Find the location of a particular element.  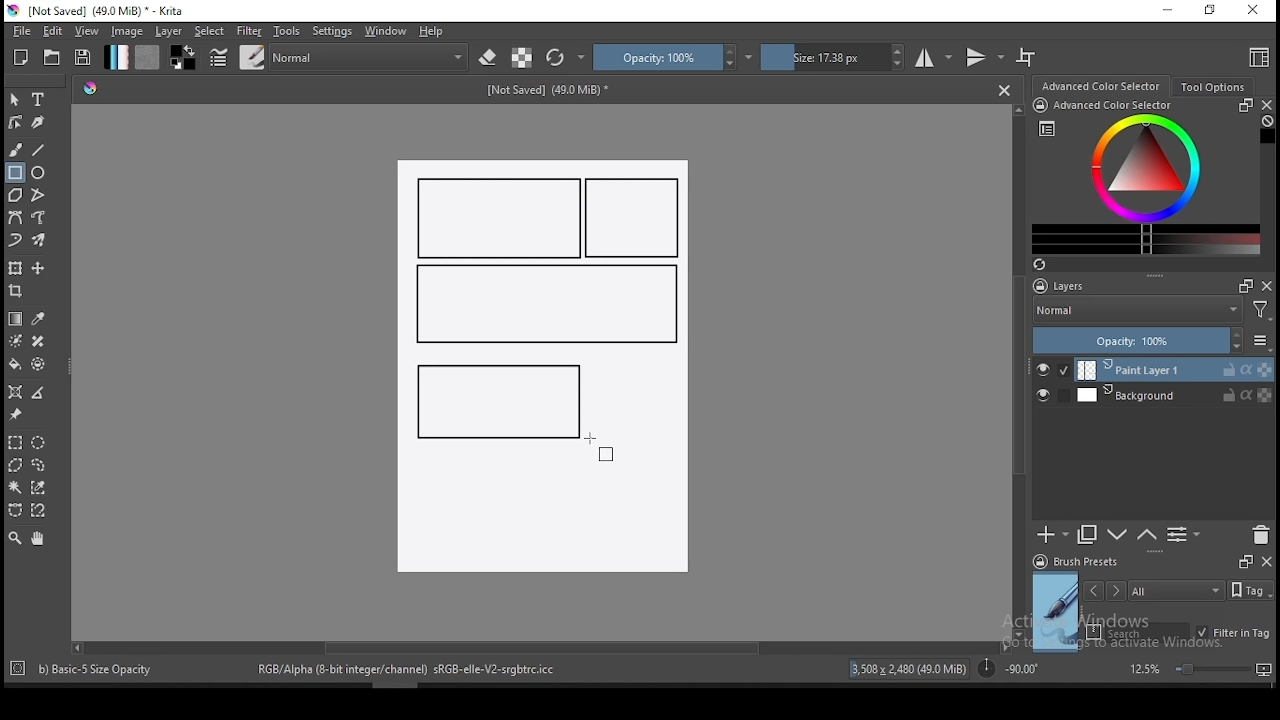

calligraphy is located at coordinates (39, 121).